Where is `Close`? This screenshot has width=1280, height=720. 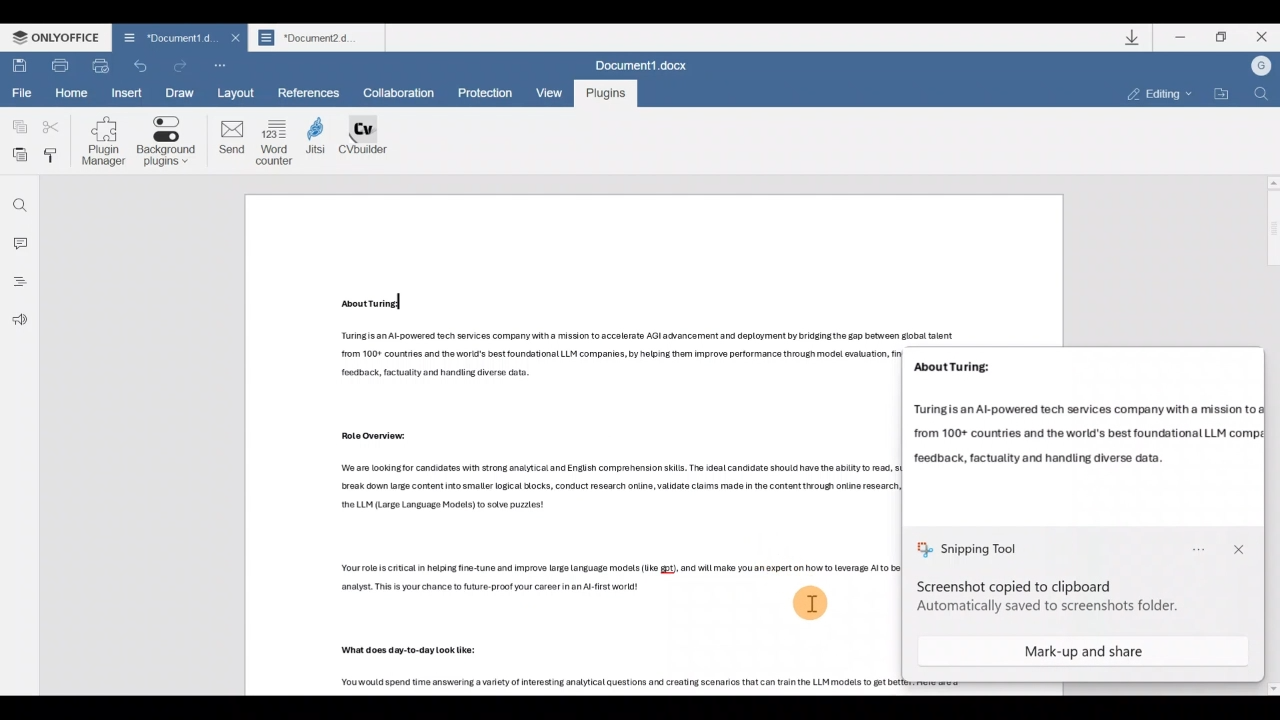
Close is located at coordinates (232, 38).